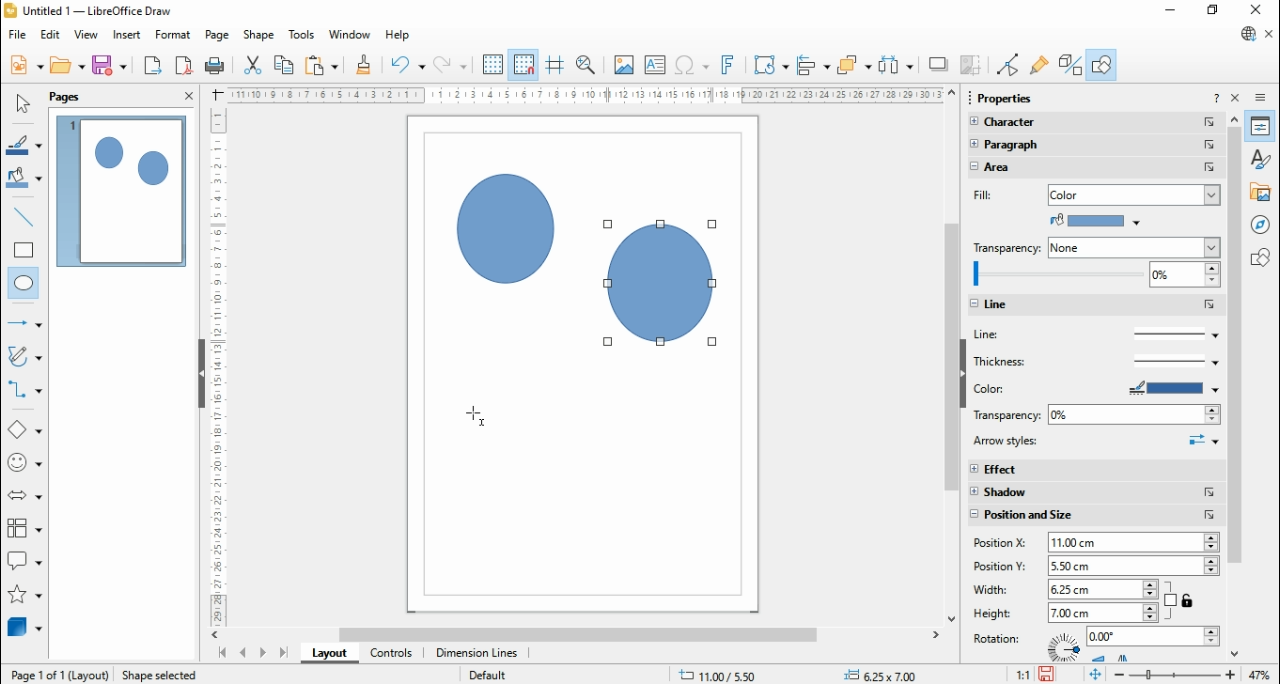 The height and width of the screenshot is (684, 1280). What do you see at coordinates (586, 66) in the screenshot?
I see `zoom and pan` at bounding box center [586, 66].